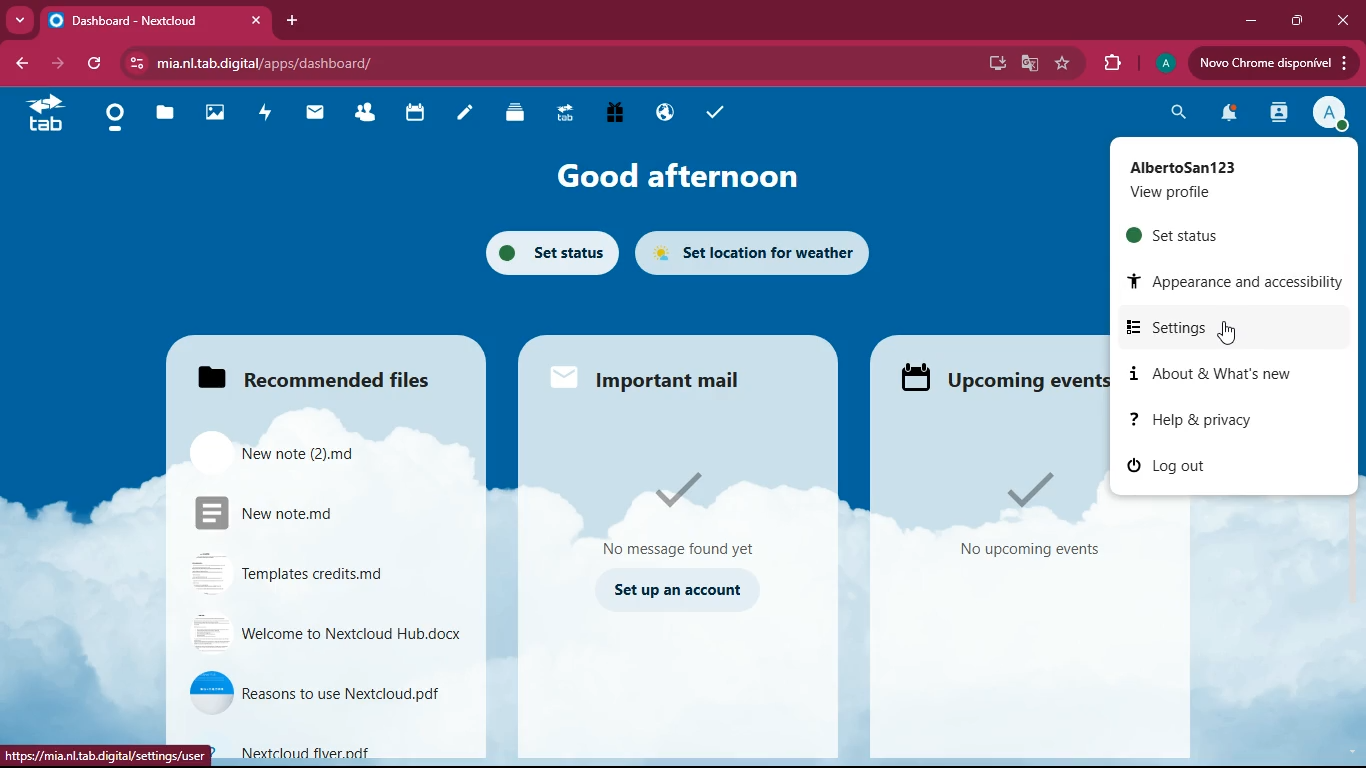 The height and width of the screenshot is (768, 1366). Describe the element at coordinates (20, 19) in the screenshot. I see `more` at that location.